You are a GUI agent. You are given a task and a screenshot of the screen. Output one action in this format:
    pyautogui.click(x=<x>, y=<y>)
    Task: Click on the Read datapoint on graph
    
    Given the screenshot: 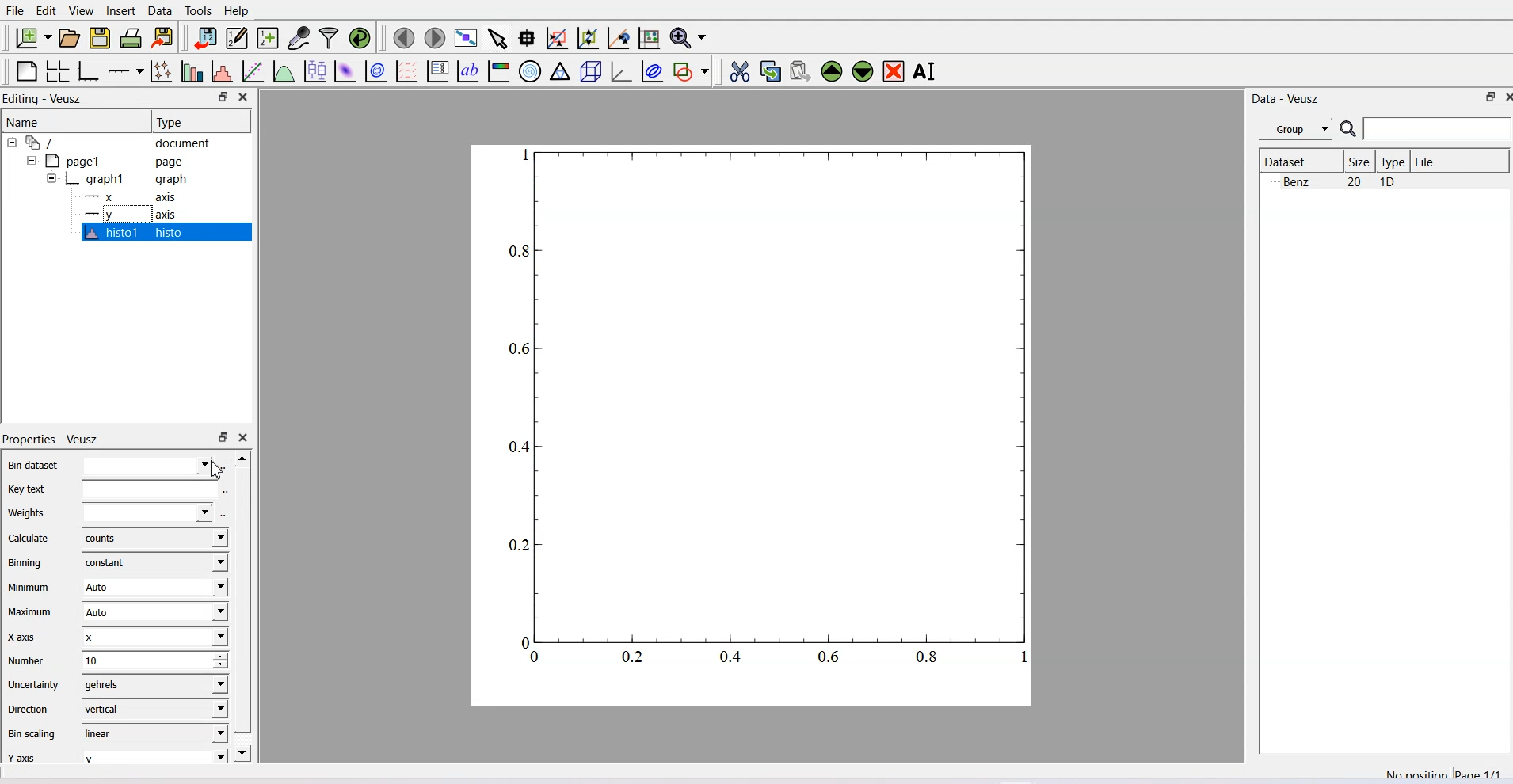 What is the action you would take?
    pyautogui.click(x=528, y=38)
    